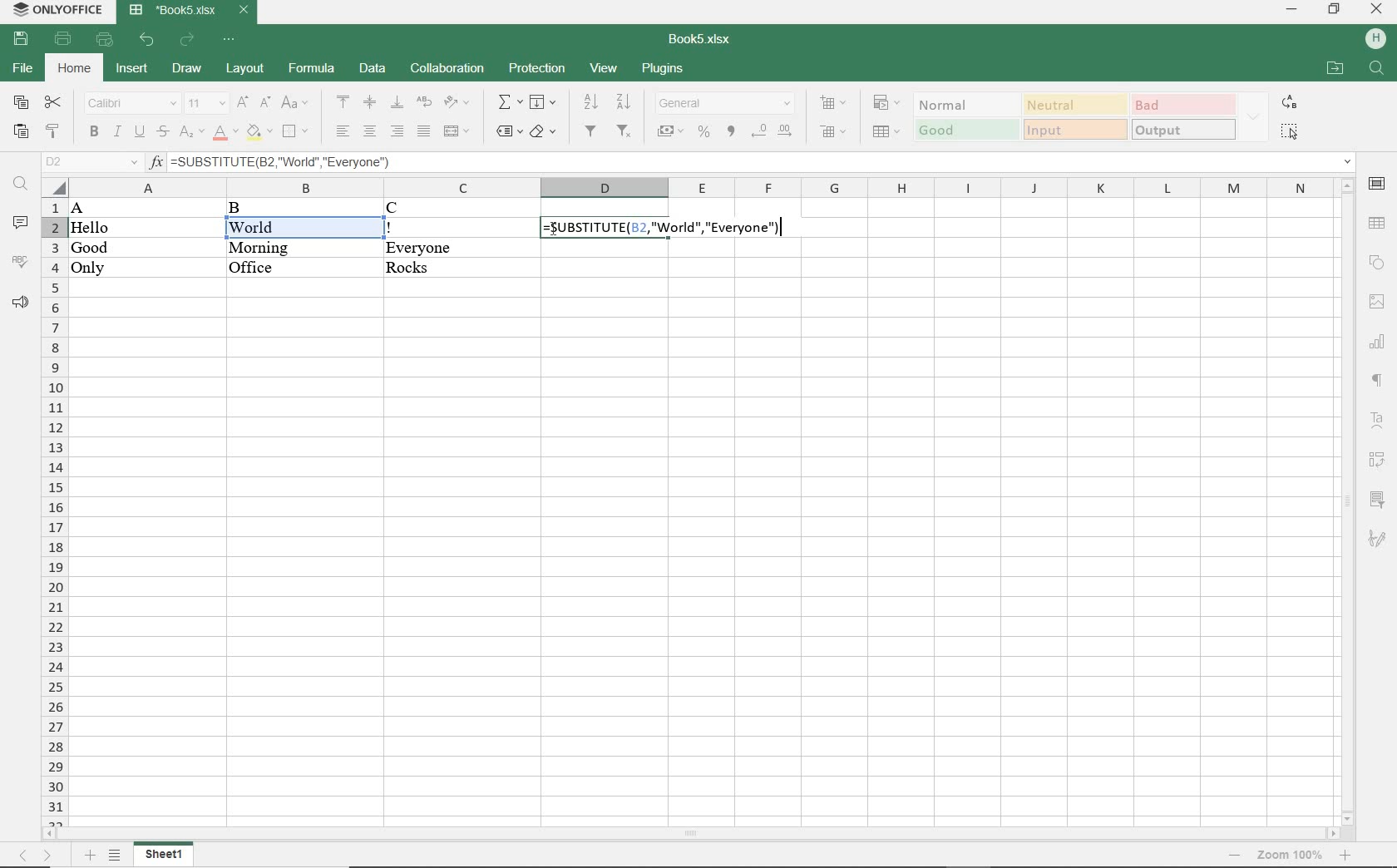  Describe the element at coordinates (186, 42) in the screenshot. I see `redo` at that location.